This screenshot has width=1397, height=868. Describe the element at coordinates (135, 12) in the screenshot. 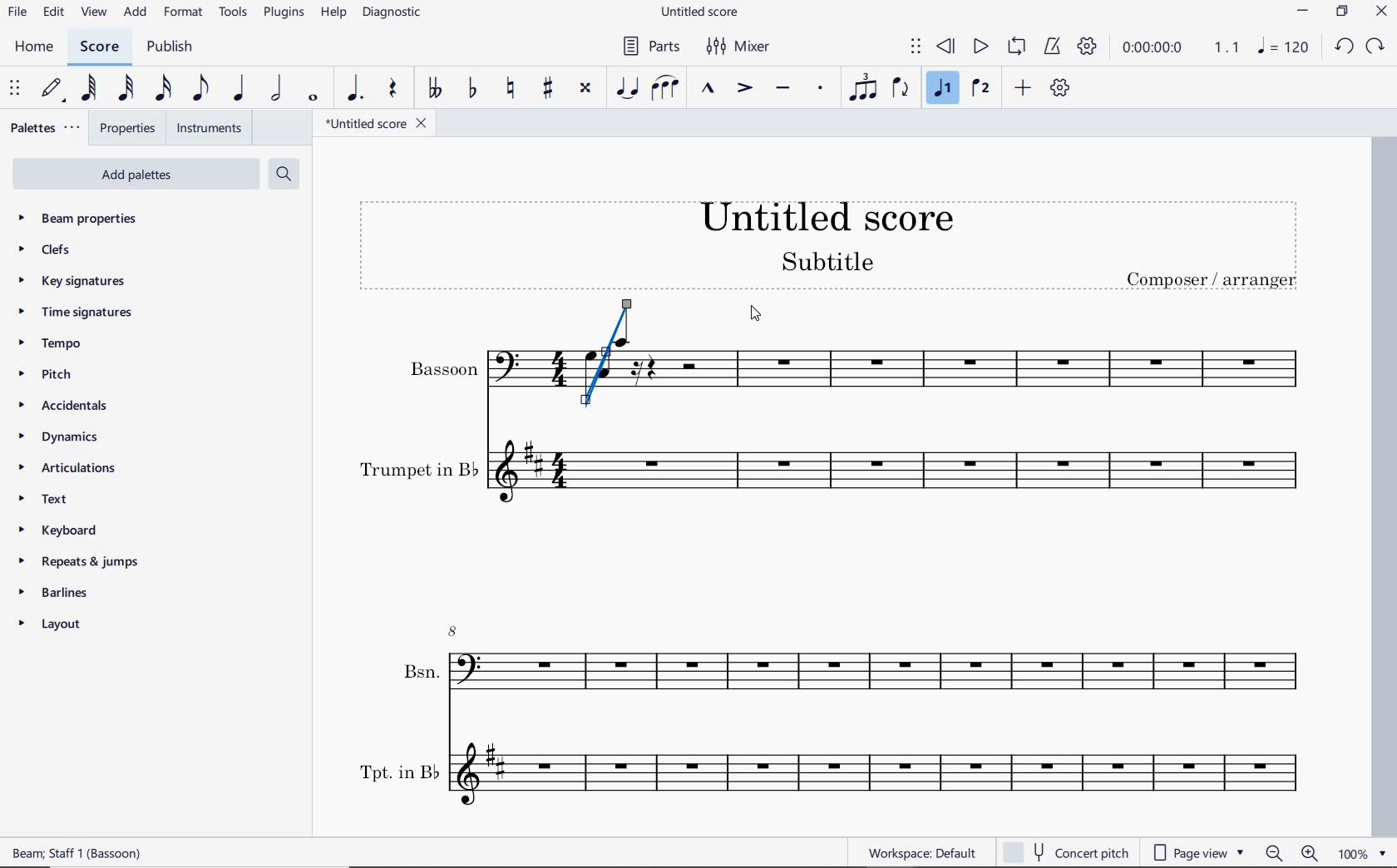

I see `add` at that location.